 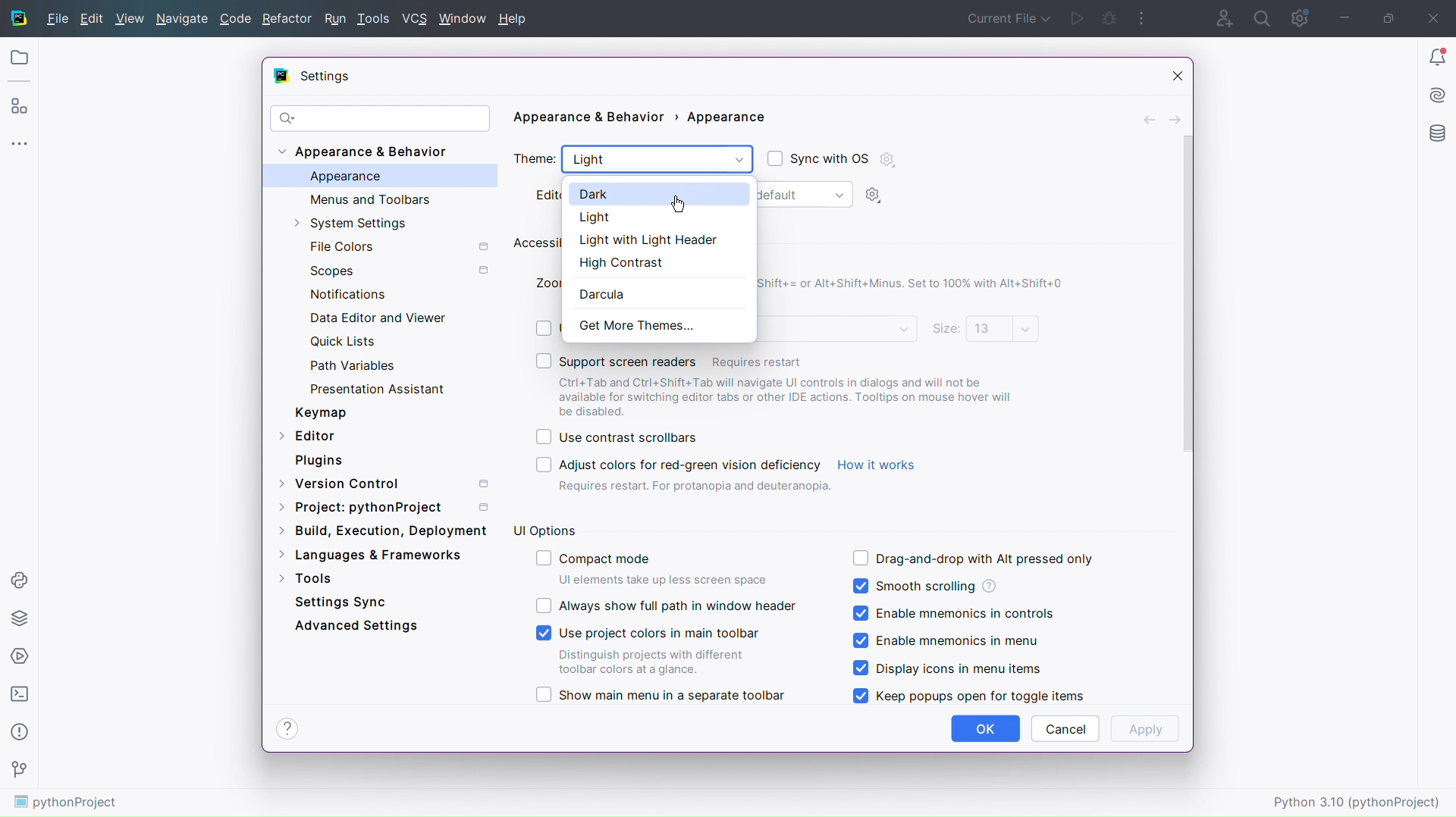 What do you see at coordinates (17, 18) in the screenshot?
I see `Logo` at bounding box center [17, 18].